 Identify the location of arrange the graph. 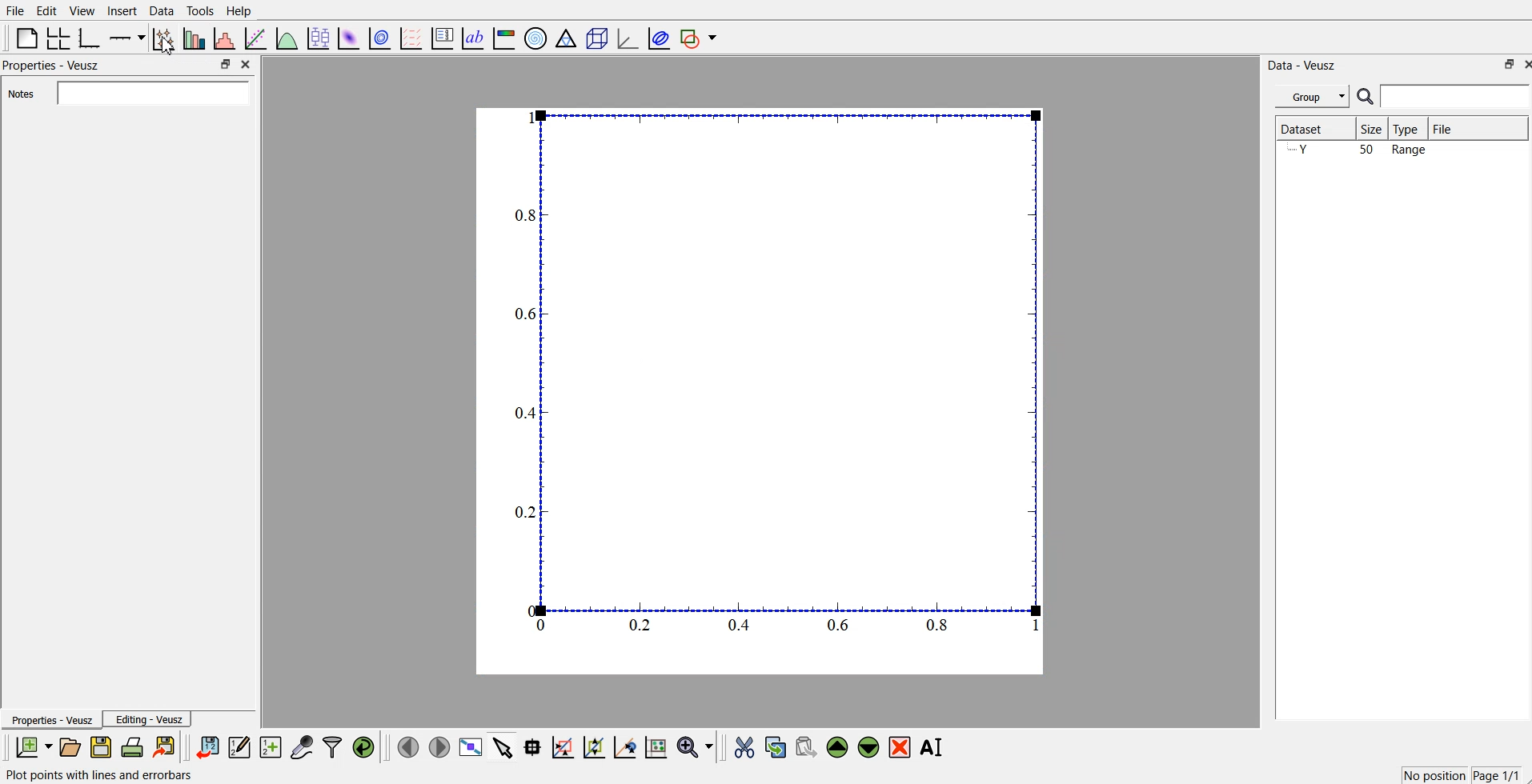
(59, 37).